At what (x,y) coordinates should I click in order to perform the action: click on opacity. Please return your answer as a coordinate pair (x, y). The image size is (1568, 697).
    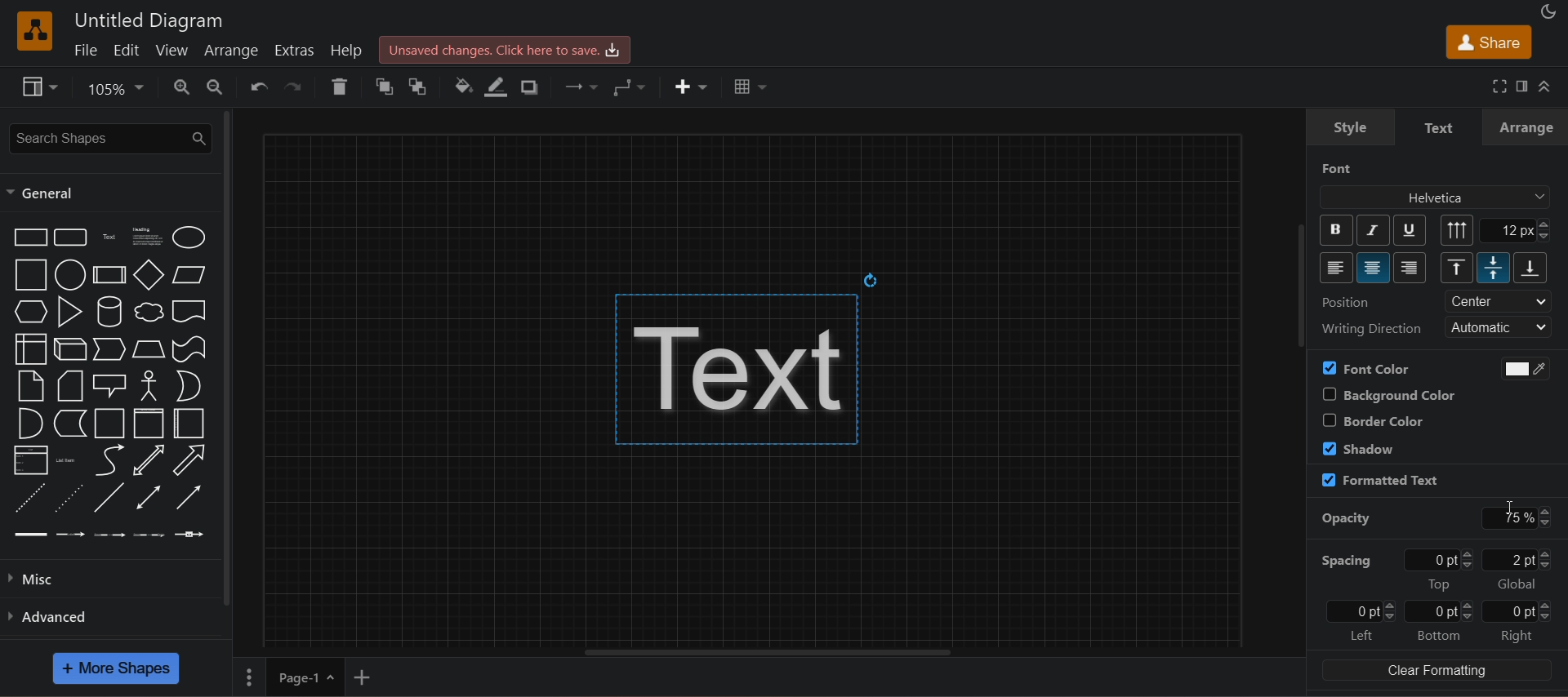
    Looking at the image, I should click on (1347, 519).